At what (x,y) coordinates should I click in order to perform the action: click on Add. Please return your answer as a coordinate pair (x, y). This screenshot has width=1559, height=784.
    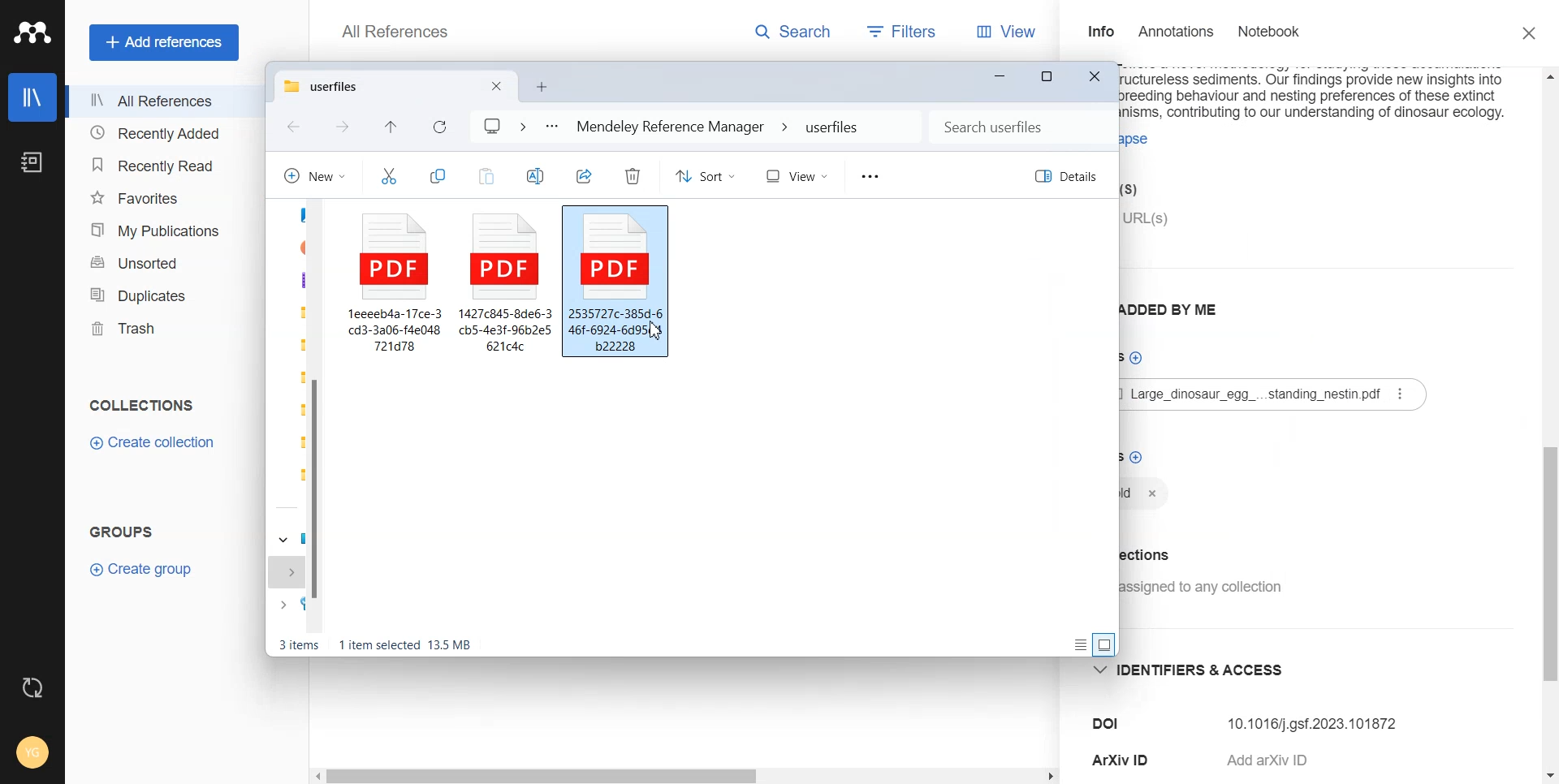
    Looking at the image, I should click on (1283, 757).